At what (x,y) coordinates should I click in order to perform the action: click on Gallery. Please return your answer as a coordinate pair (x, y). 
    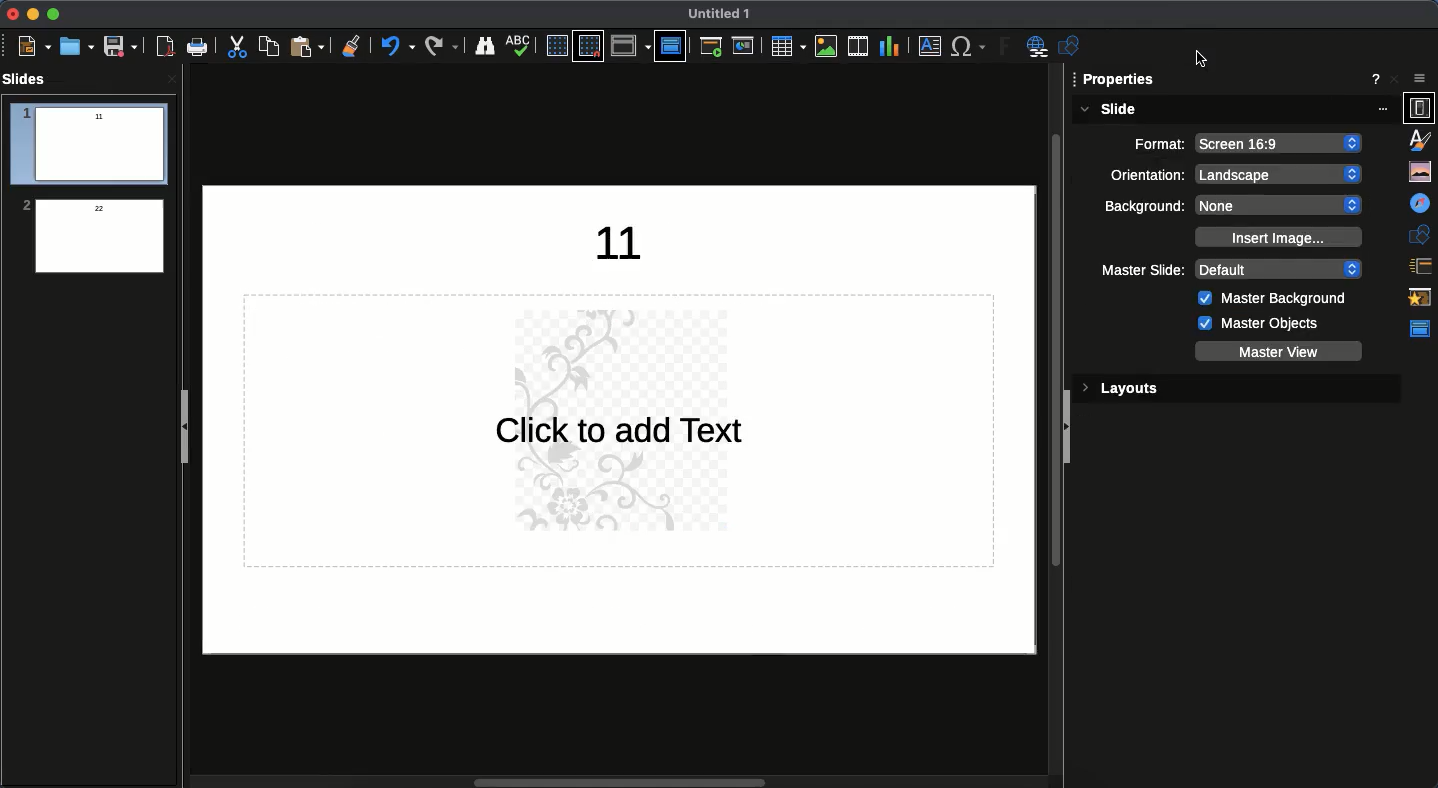
    Looking at the image, I should click on (1422, 171).